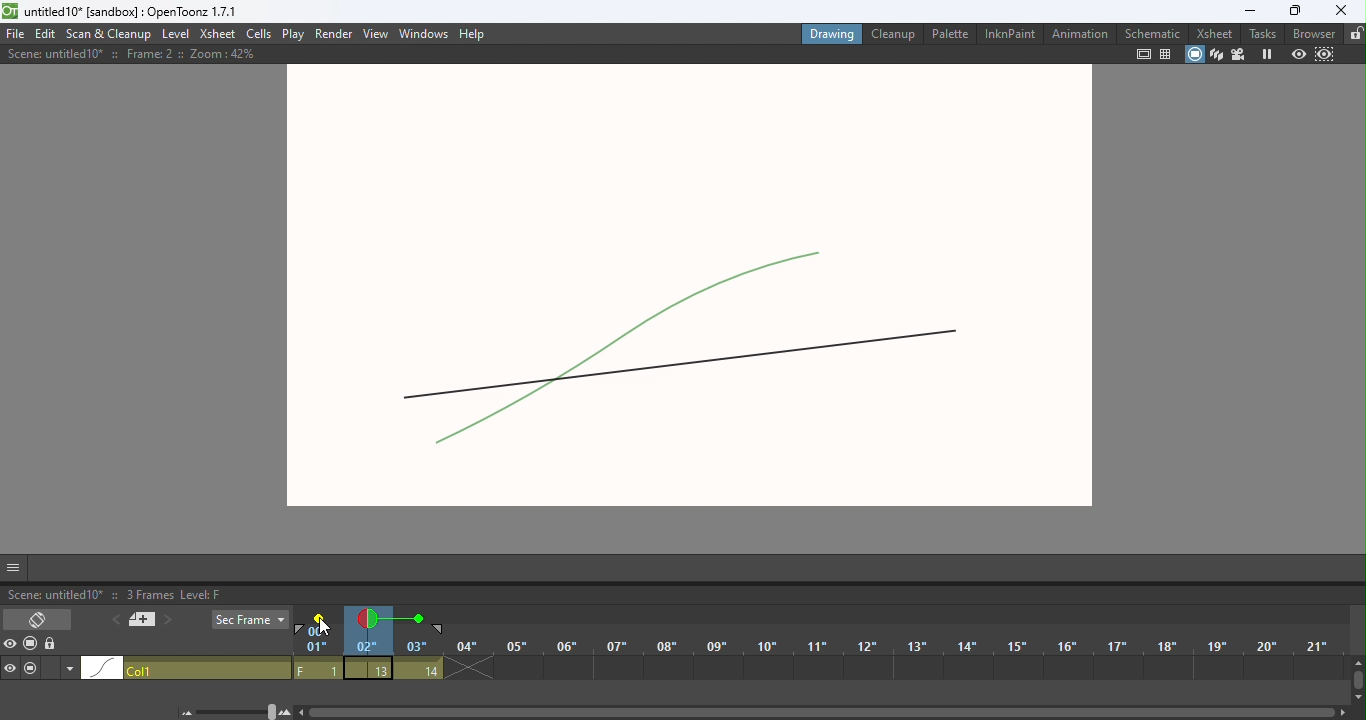 This screenshot has width=1366, height=720. Describe the element at coordinates (682, 593) in the screenshot. I see `Scene: untitled10* :: 3 Frames Level: F` at that location.